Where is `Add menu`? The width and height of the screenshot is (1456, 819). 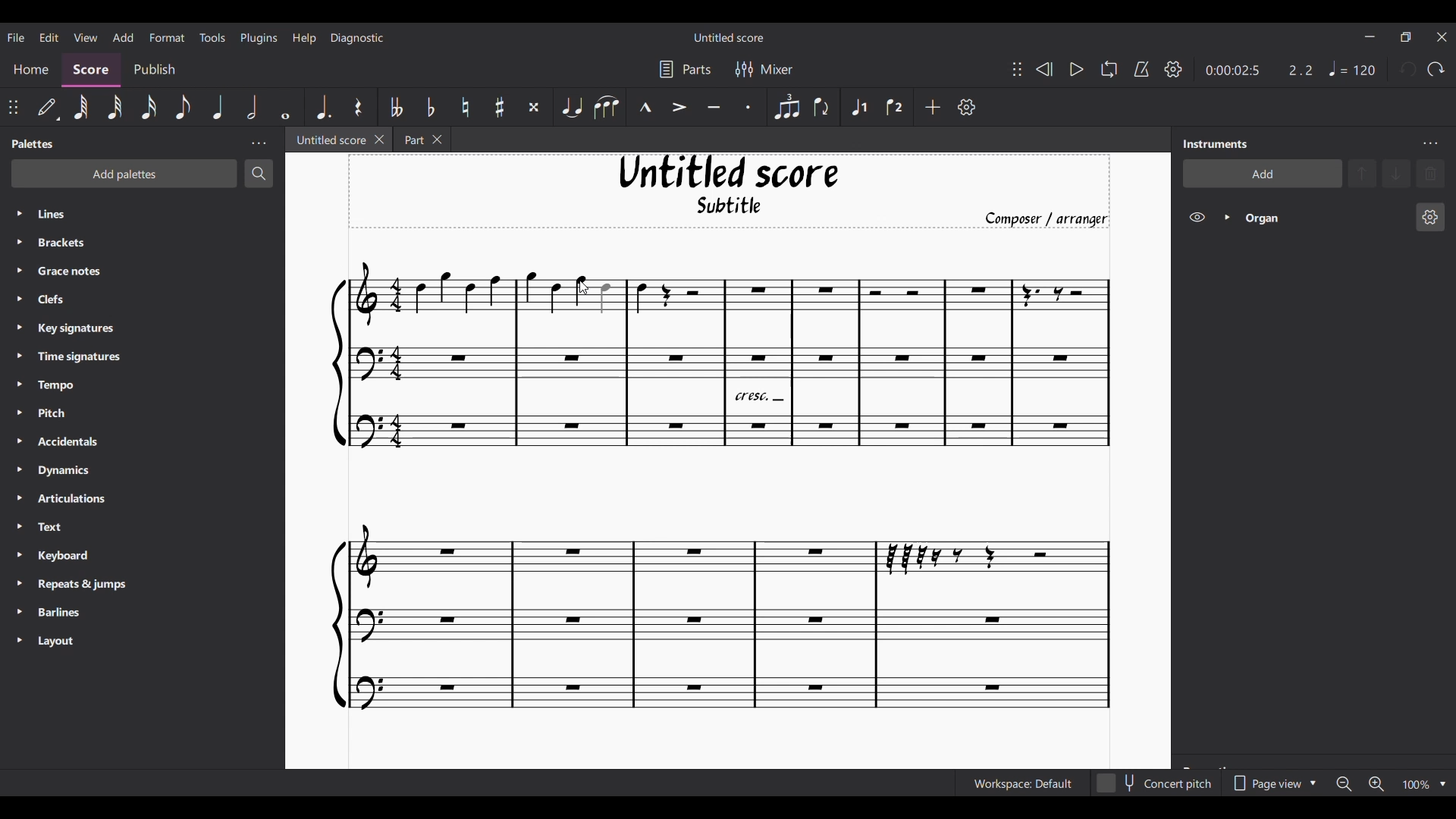 Add menu is located at coordinates (124, 37).